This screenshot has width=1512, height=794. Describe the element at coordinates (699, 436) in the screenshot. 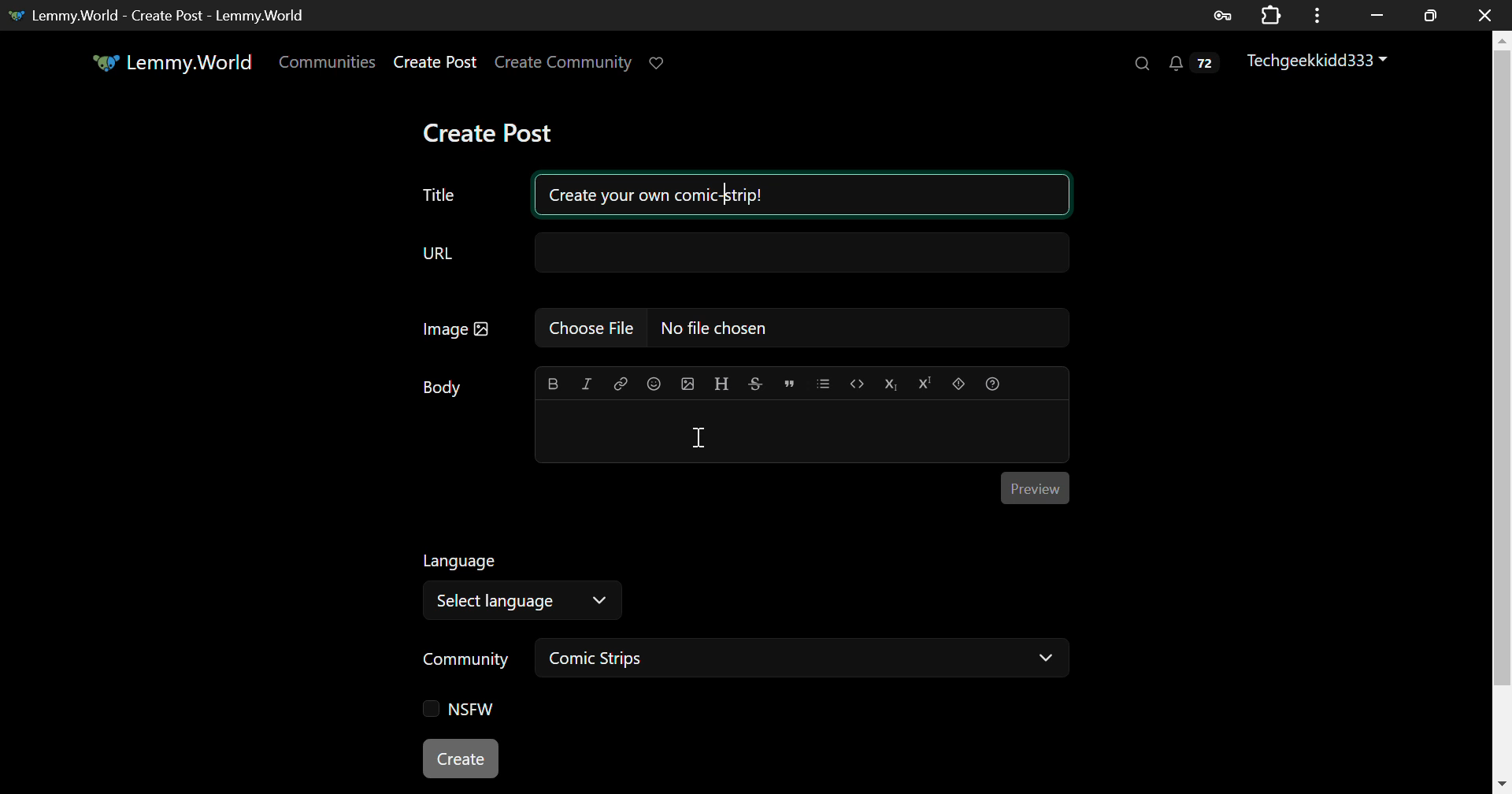

I see `Cursor on Post Body Field` at that location.